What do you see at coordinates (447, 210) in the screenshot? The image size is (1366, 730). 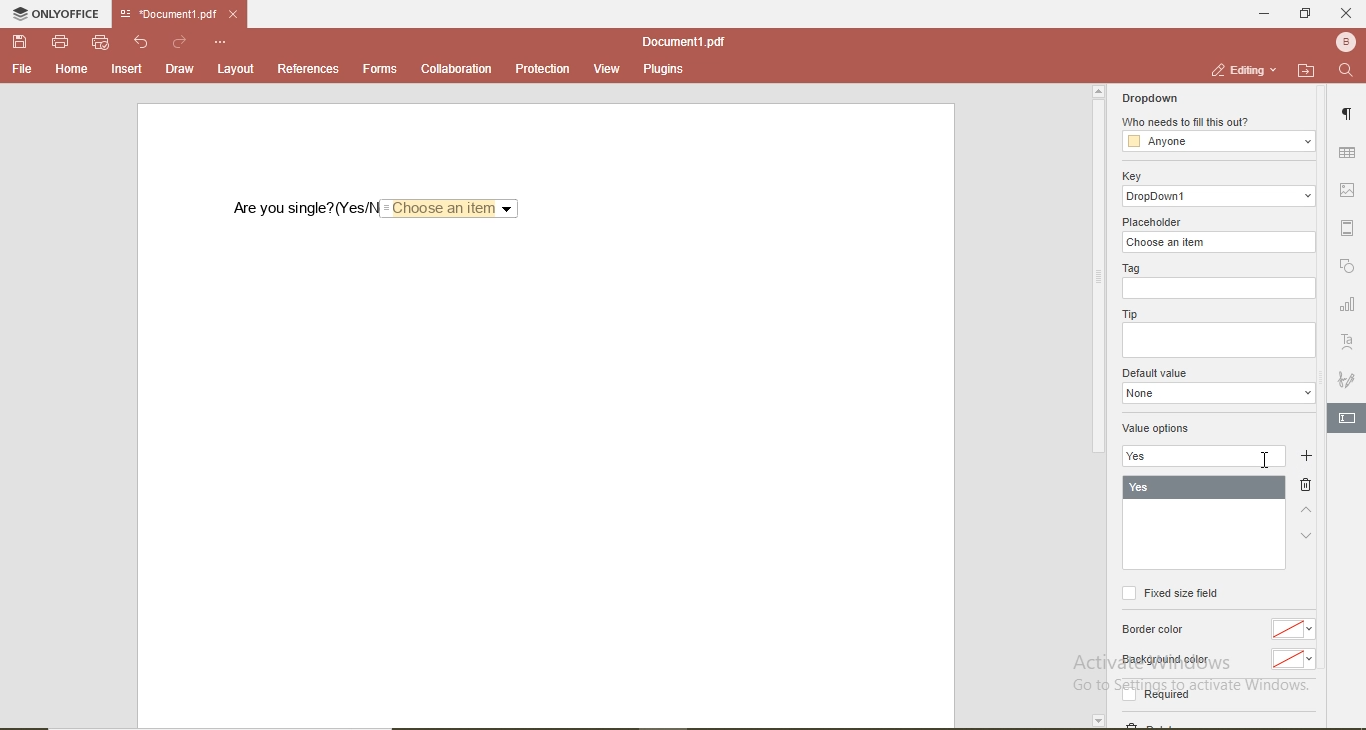 I see `Choose an item` at bounding box center [447, 210].